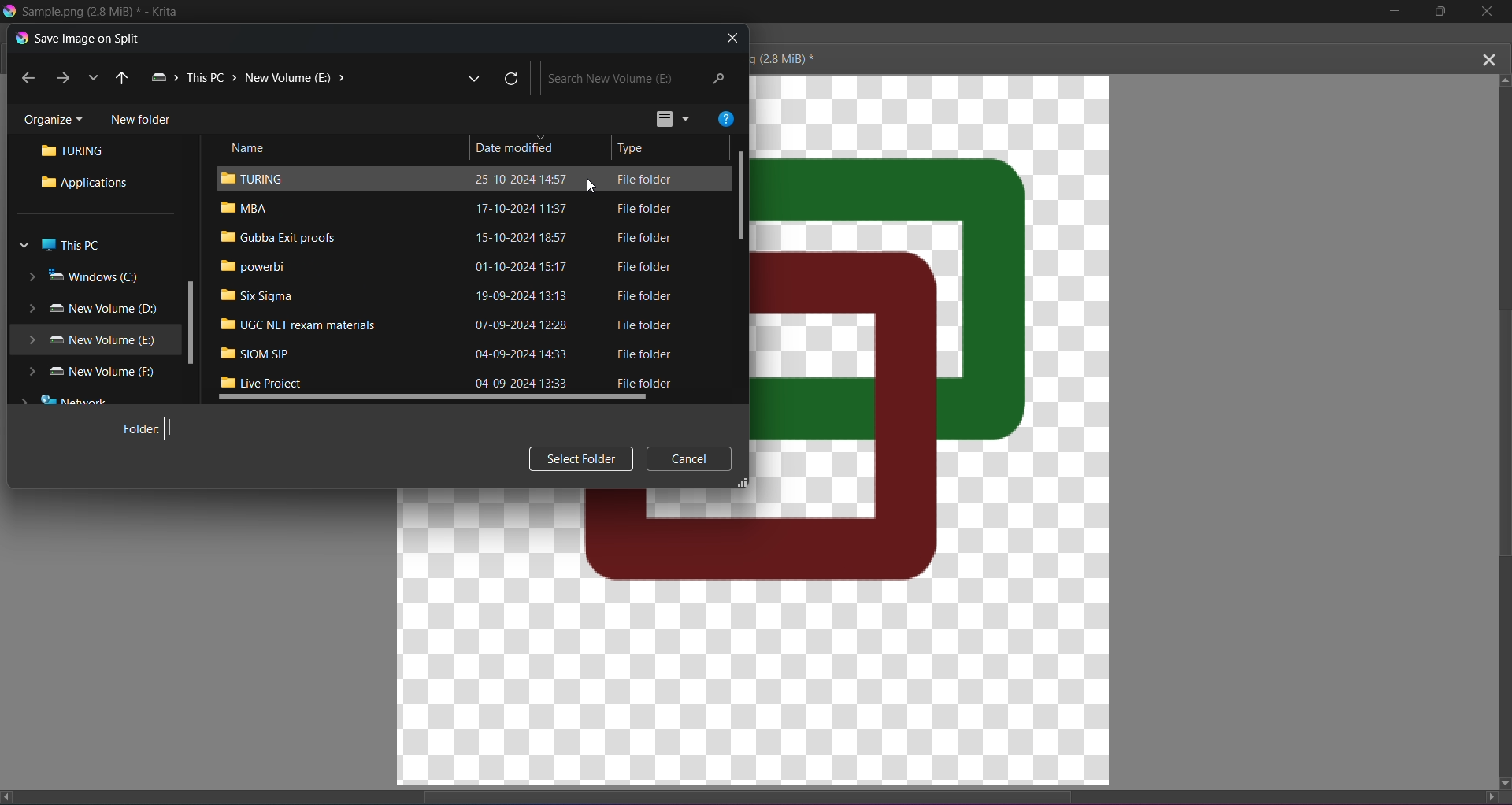  What do you see at coordinates (58, 246) in the screenshot?
I see `This PC` at bounding box center [58, 246].